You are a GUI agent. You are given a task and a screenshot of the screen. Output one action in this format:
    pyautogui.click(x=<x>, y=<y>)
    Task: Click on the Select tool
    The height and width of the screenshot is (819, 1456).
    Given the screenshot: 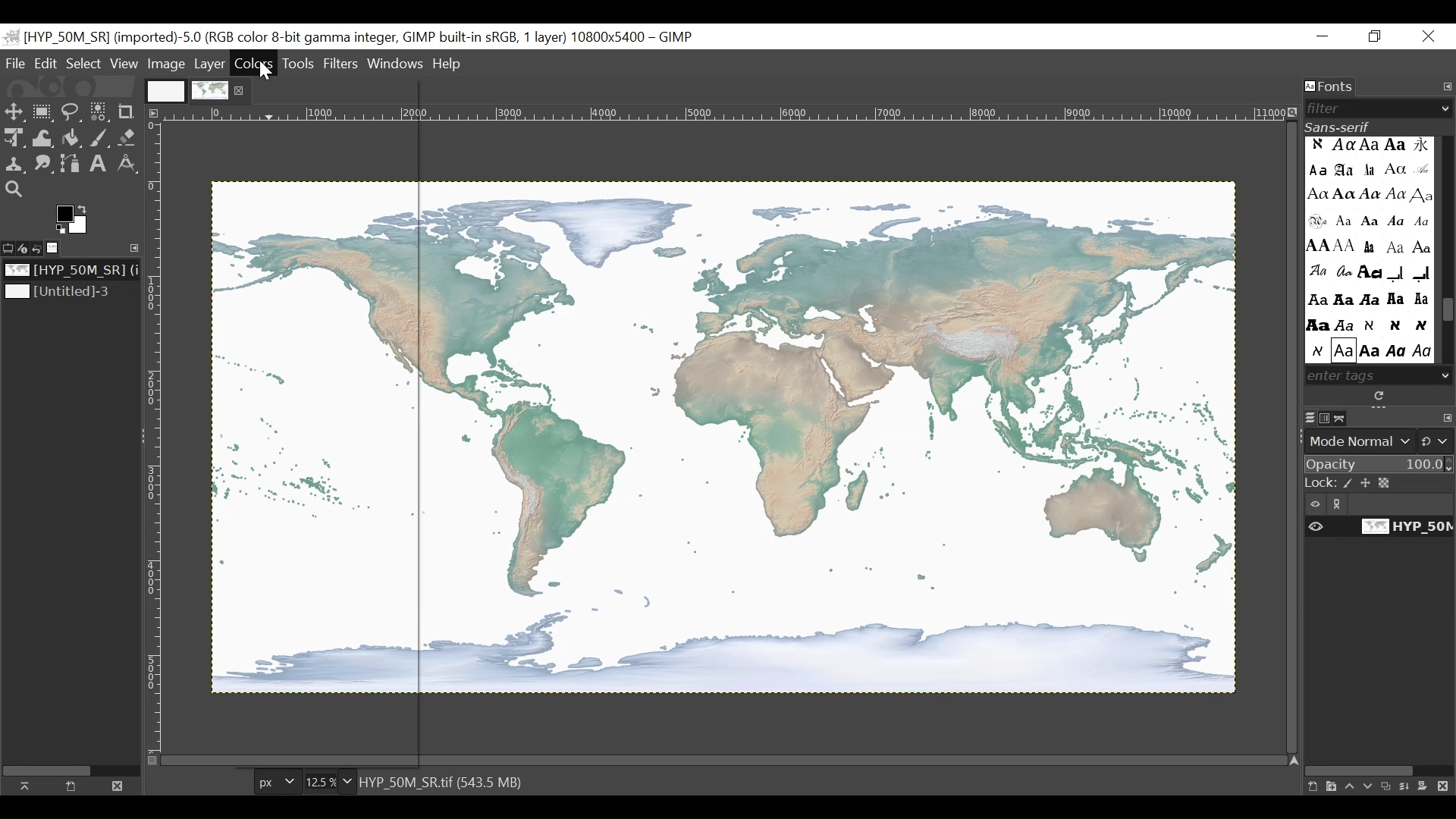 What is the action you would take?
    pyautogui.click(x=14, y=113)
    